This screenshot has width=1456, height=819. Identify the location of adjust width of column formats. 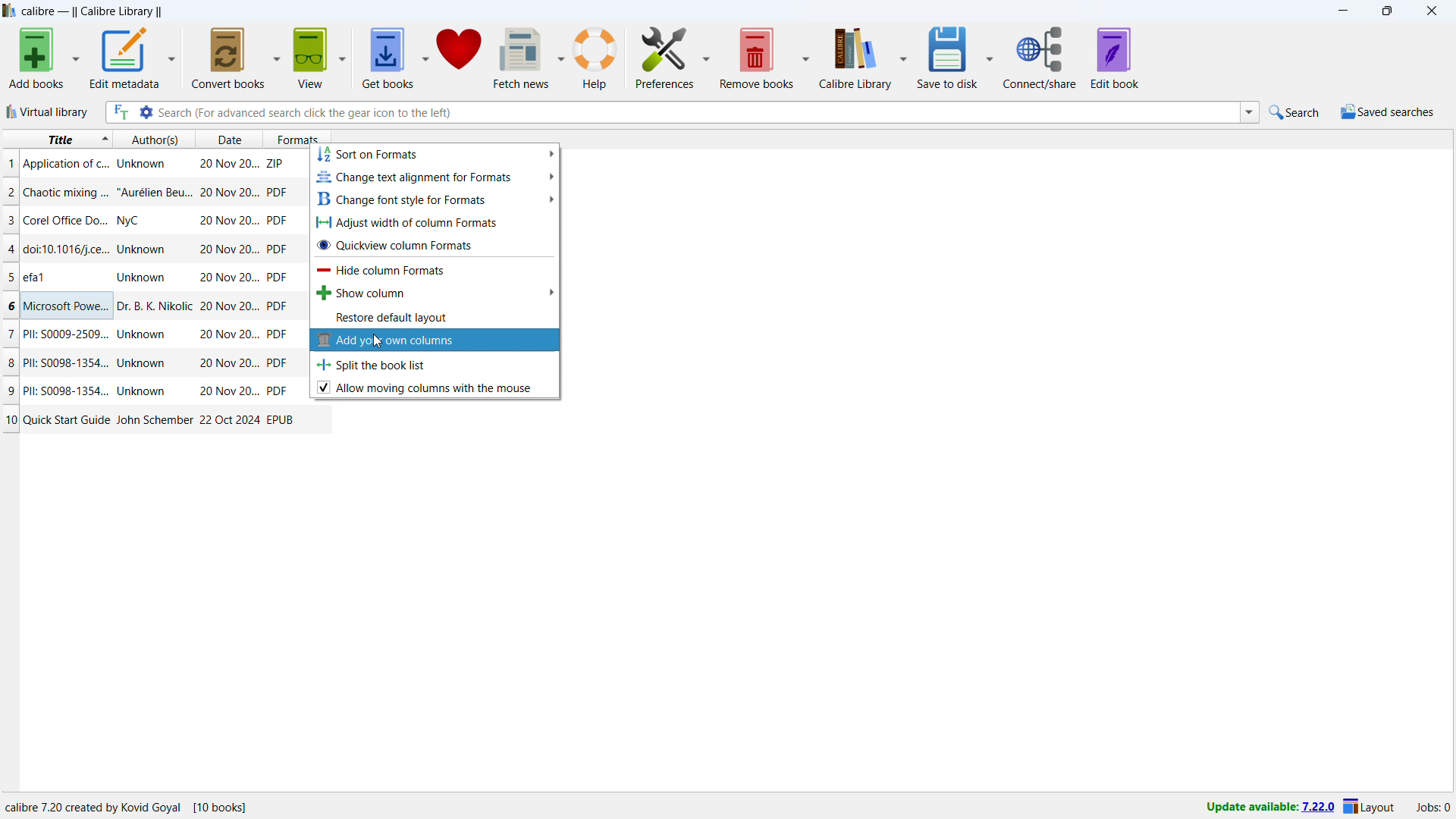
(434, 221).